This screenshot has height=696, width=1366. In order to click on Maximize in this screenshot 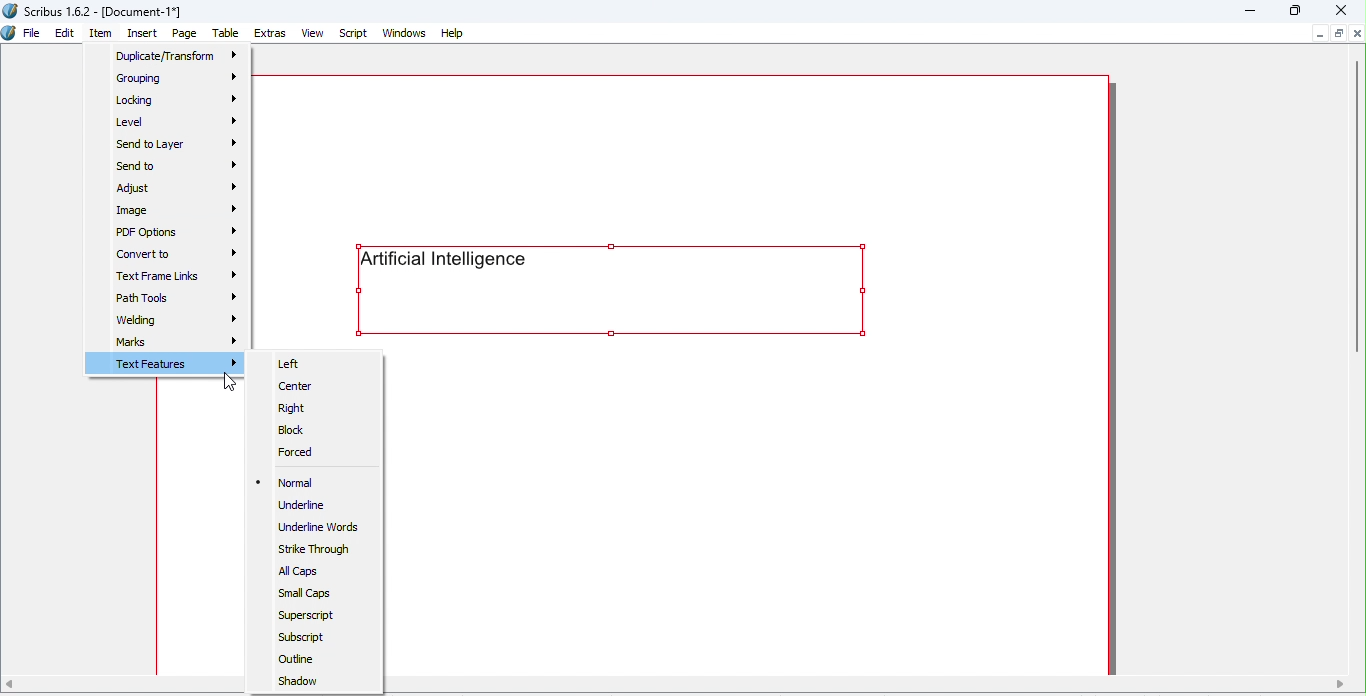, I will do `click(1297, 11)`.